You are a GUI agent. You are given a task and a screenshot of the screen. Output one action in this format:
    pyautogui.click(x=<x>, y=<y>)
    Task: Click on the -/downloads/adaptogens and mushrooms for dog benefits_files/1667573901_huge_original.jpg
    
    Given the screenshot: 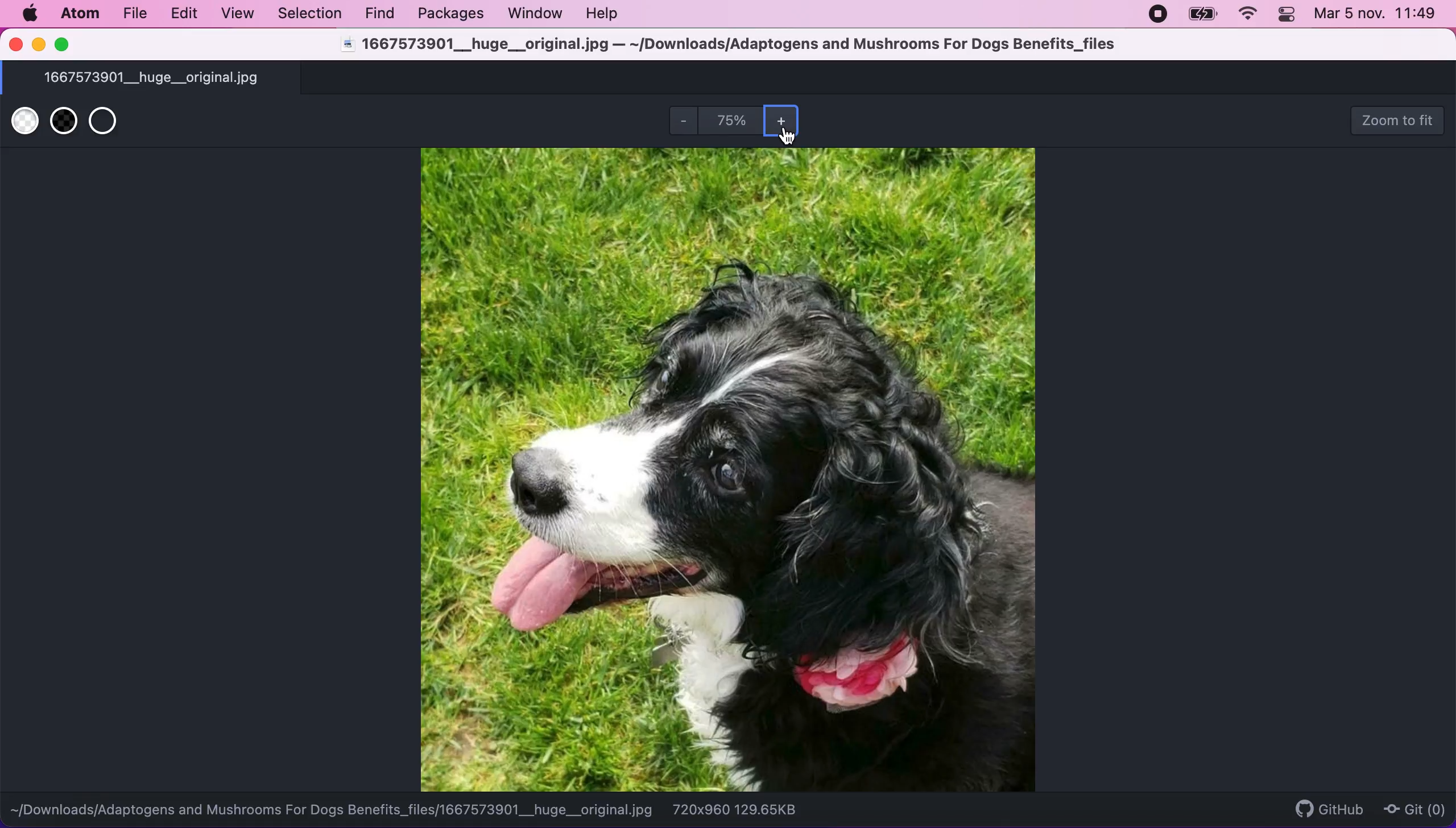 What is the action you would take?
    pyautogui.click(x=333, y=811)
    